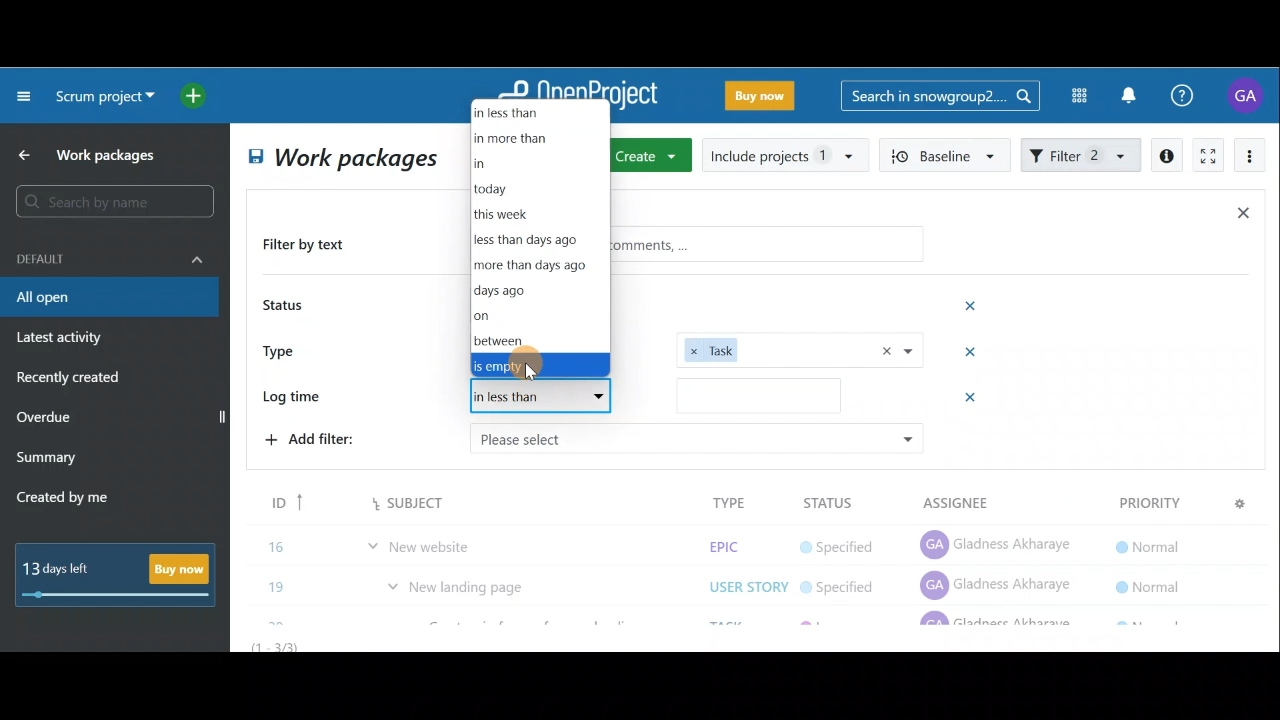 The image size is (1280, 720). I want to click on in less than, so click(537, 112).